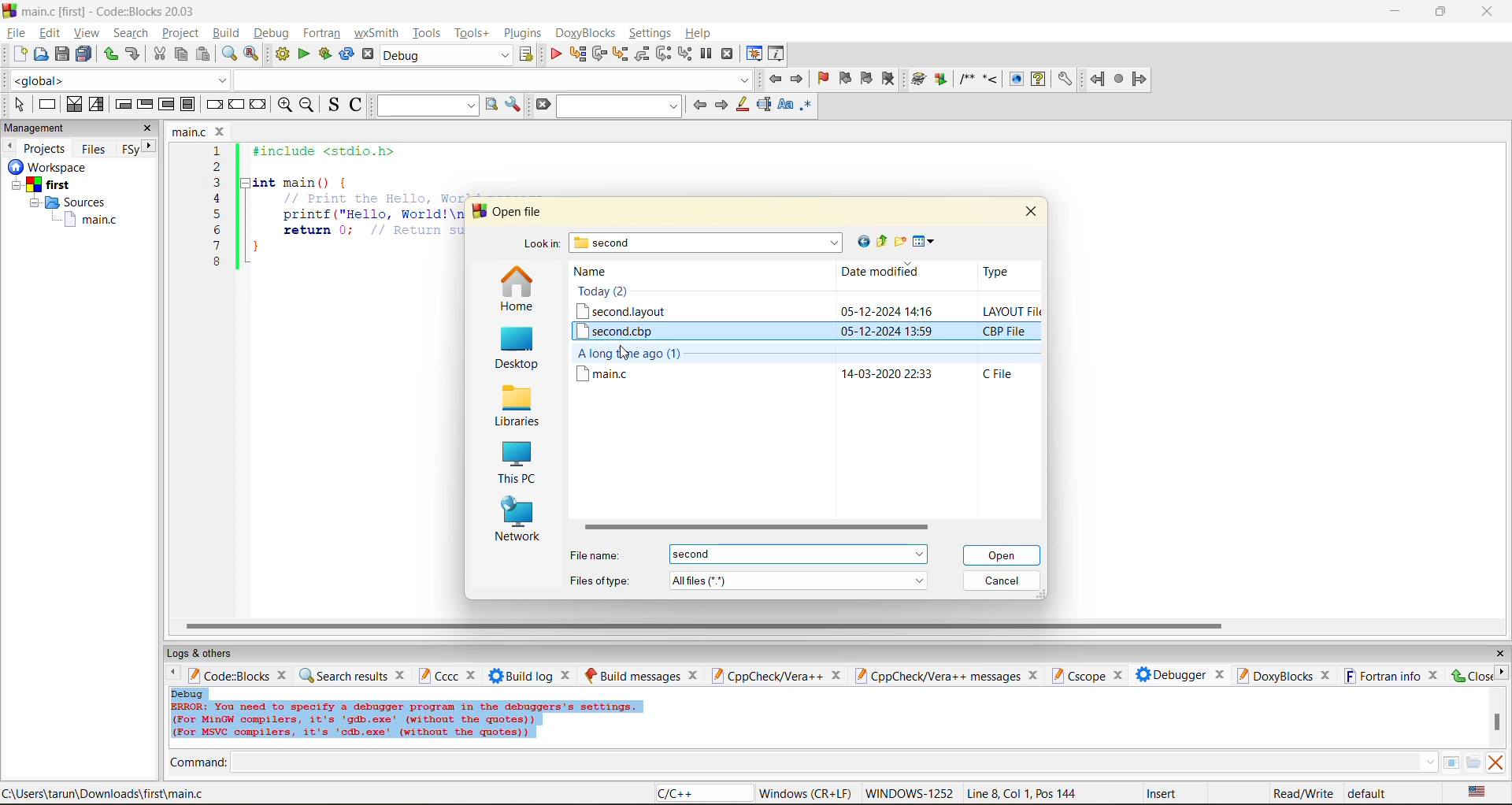  Describe the element at coordinates (517, 290) in the screenshot. I see `home` at that location.